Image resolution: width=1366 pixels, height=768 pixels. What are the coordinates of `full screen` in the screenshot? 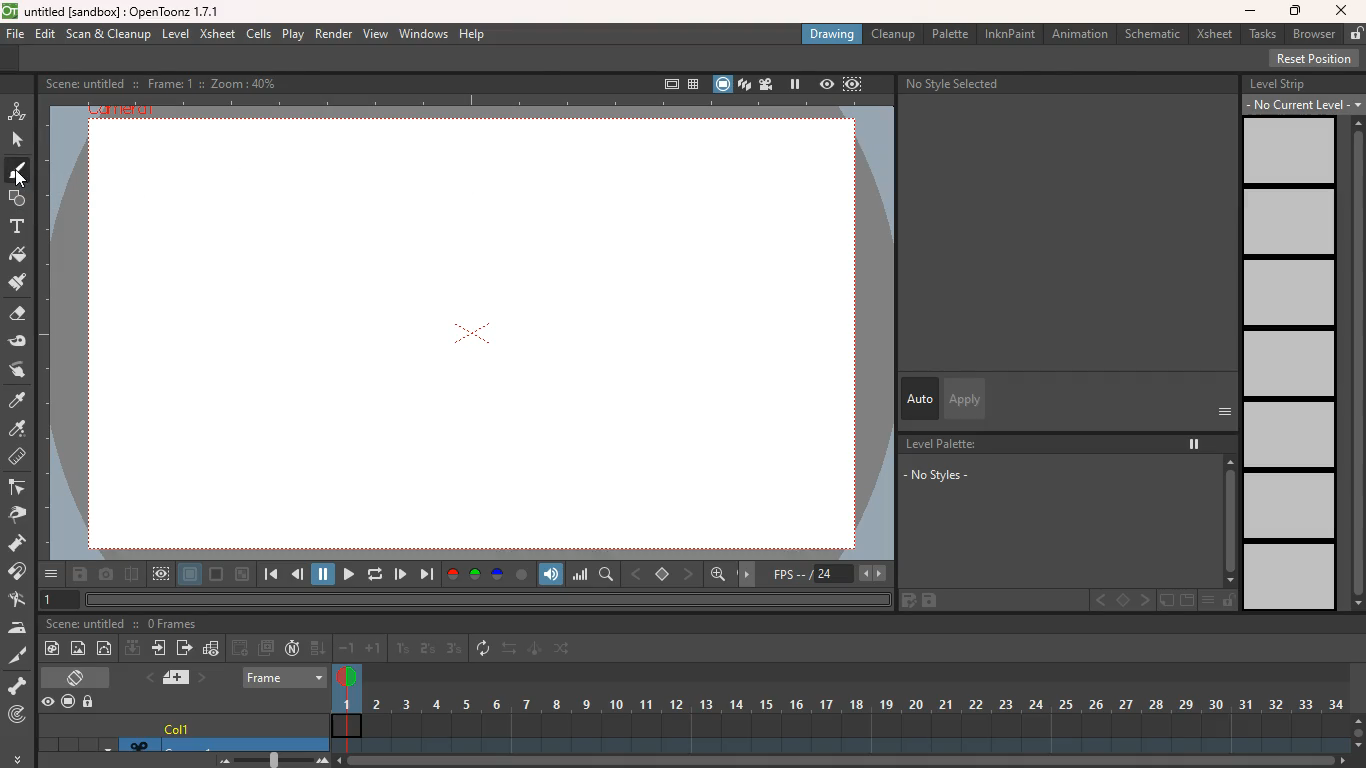 It's located at (663, 82).